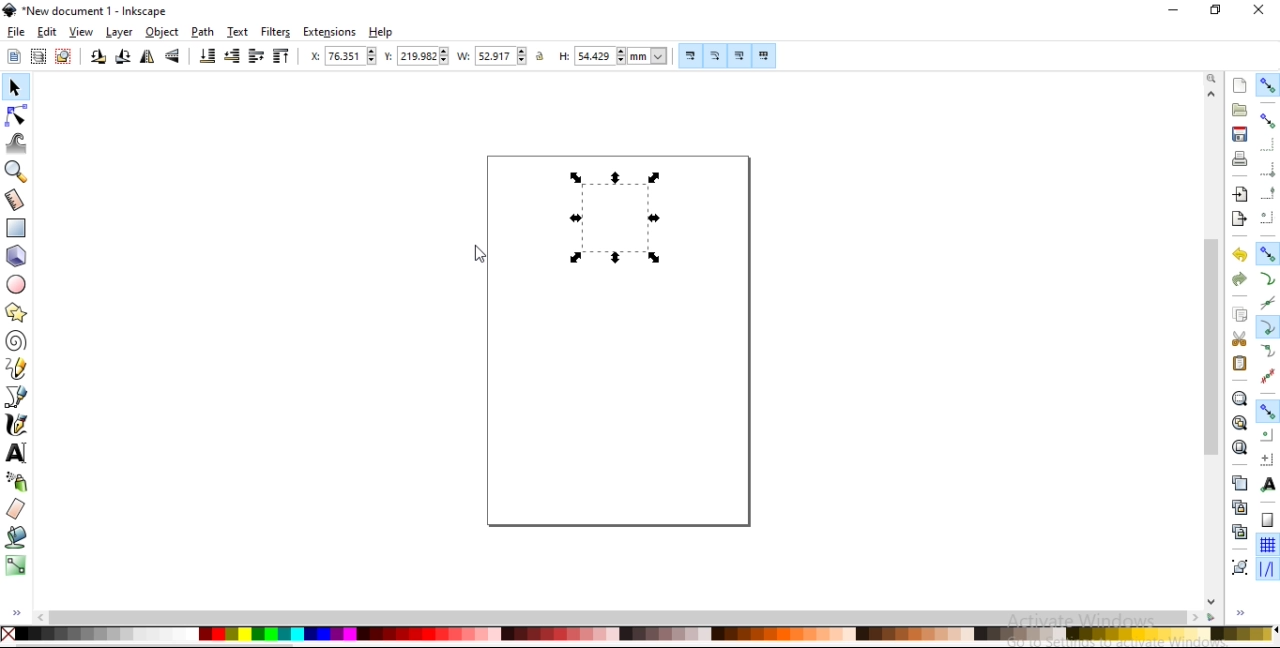  Describe the element at coordinates (1239, 422) in the screenshot. I see `zoom to fit drawing` at that location.